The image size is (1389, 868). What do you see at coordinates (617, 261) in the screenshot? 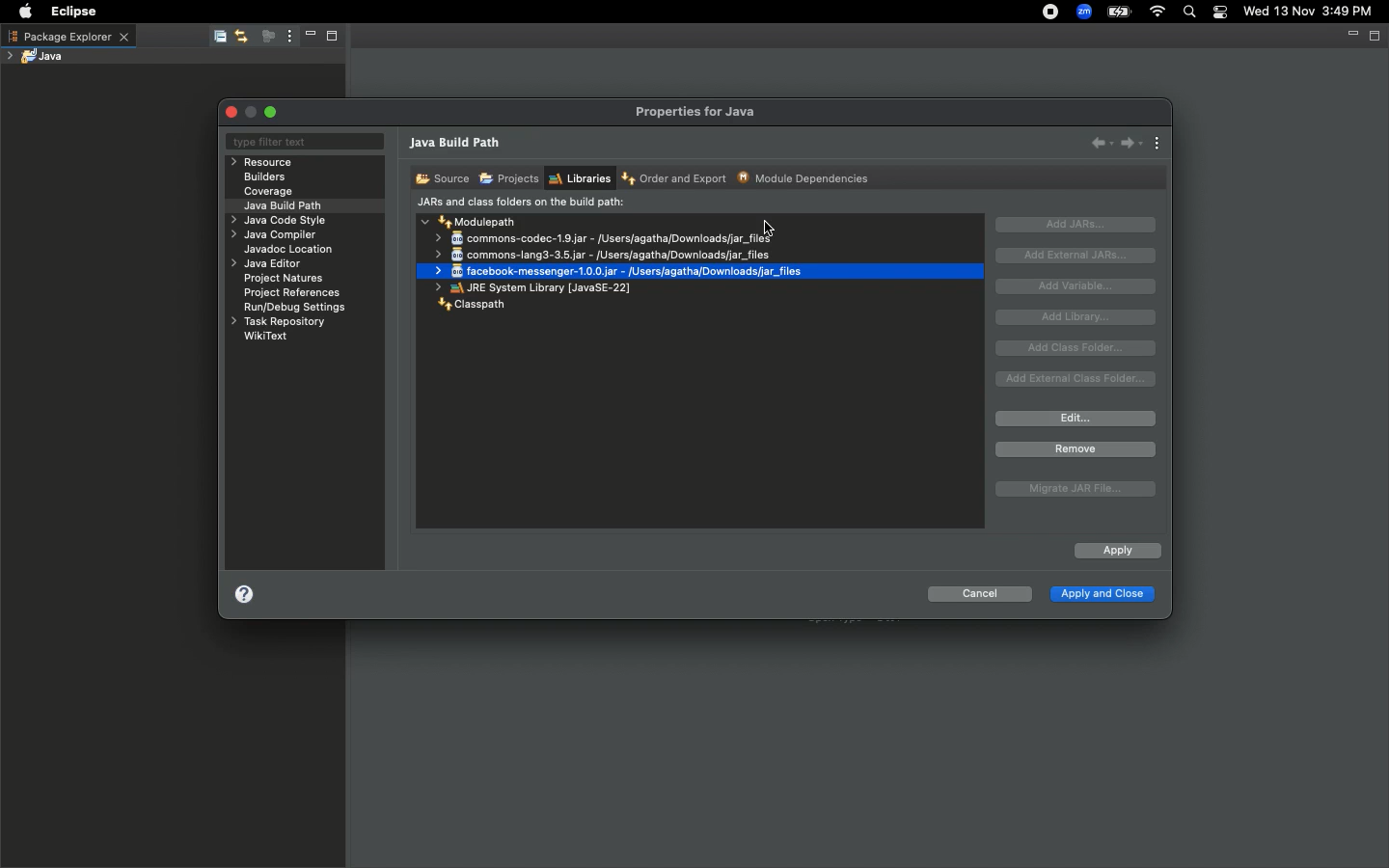
I see `commons-codec-1.9.jar - /users/agatha/Downloads/jar_files commons-lang3-3.5.jar - /Users/agatha/Downloads/jar_files facebook-messenger-1.0.0.jar - /Users/agatha/Downloads/jar_files JRE System Library [JavaSE-22]` at bounding box center [617, 261].